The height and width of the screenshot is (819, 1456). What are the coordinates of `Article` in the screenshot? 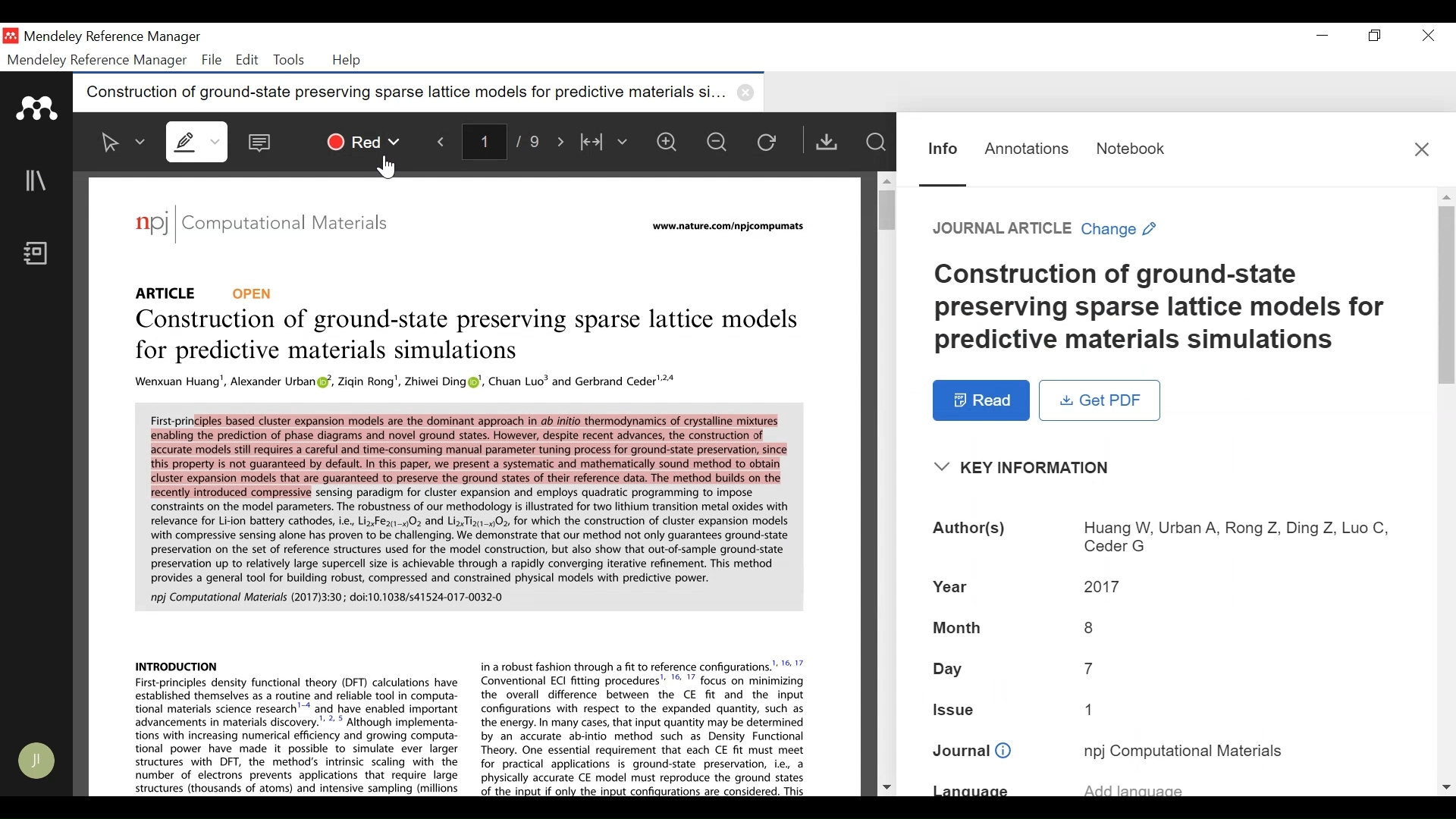 It's located at (161, 289).